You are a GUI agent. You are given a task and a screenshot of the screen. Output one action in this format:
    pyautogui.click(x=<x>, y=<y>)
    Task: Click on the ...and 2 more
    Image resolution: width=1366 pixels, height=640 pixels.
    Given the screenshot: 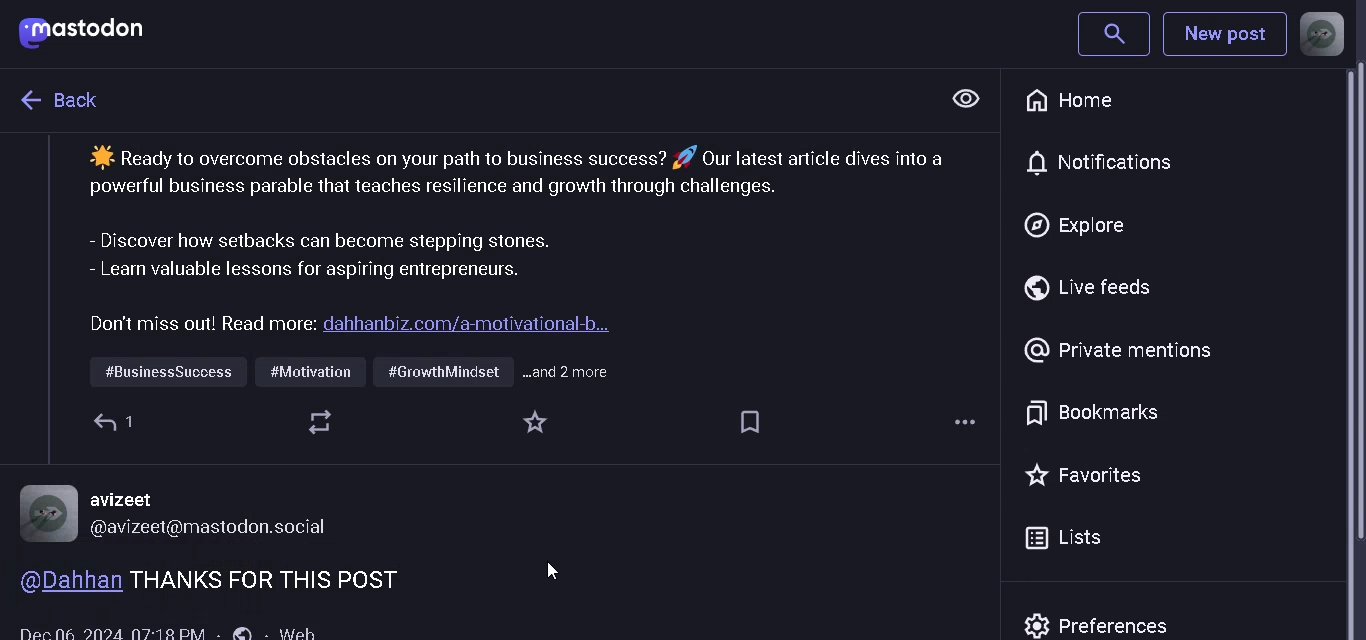 What is the action you would take?
    pyautogui.click(x=306, y=373)
    